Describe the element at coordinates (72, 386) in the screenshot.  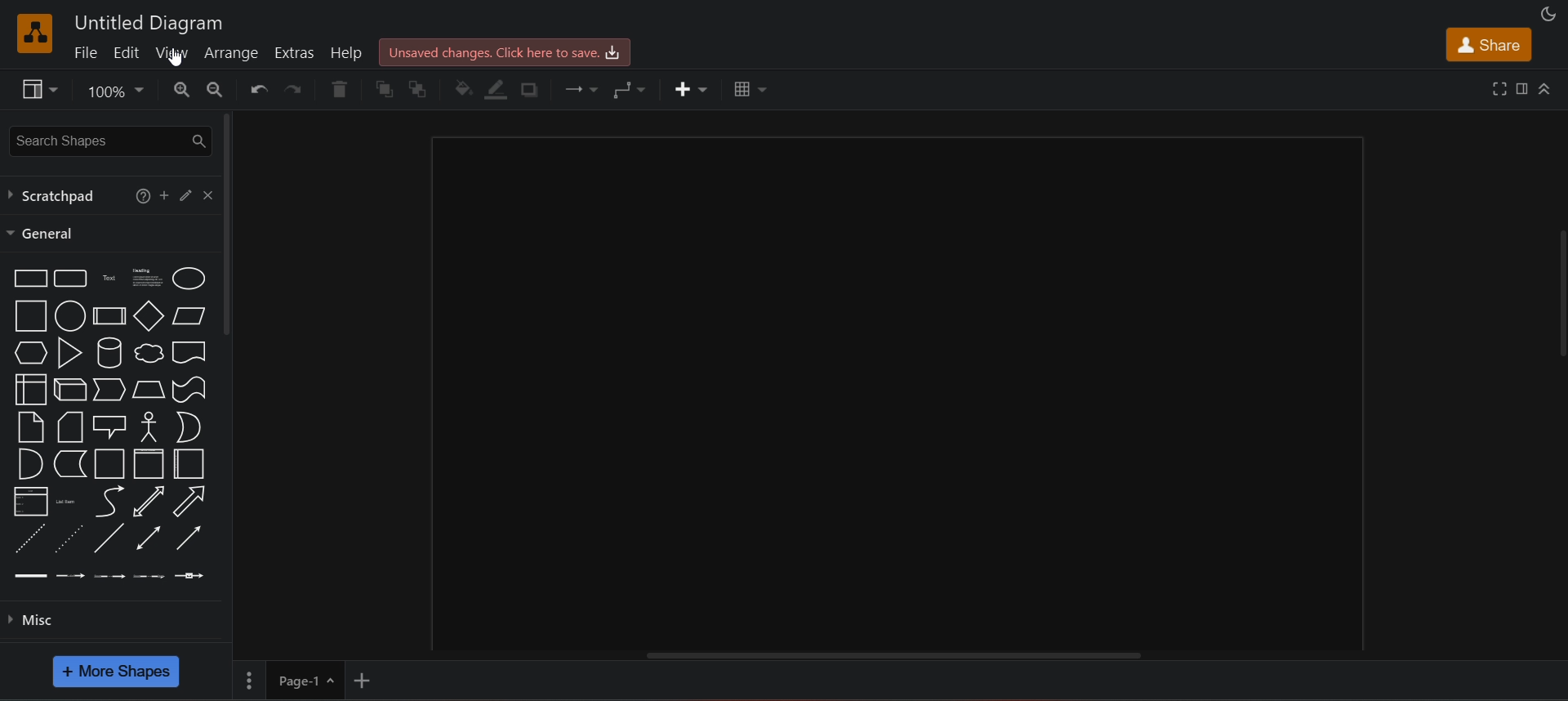
I see `cube` at that location.